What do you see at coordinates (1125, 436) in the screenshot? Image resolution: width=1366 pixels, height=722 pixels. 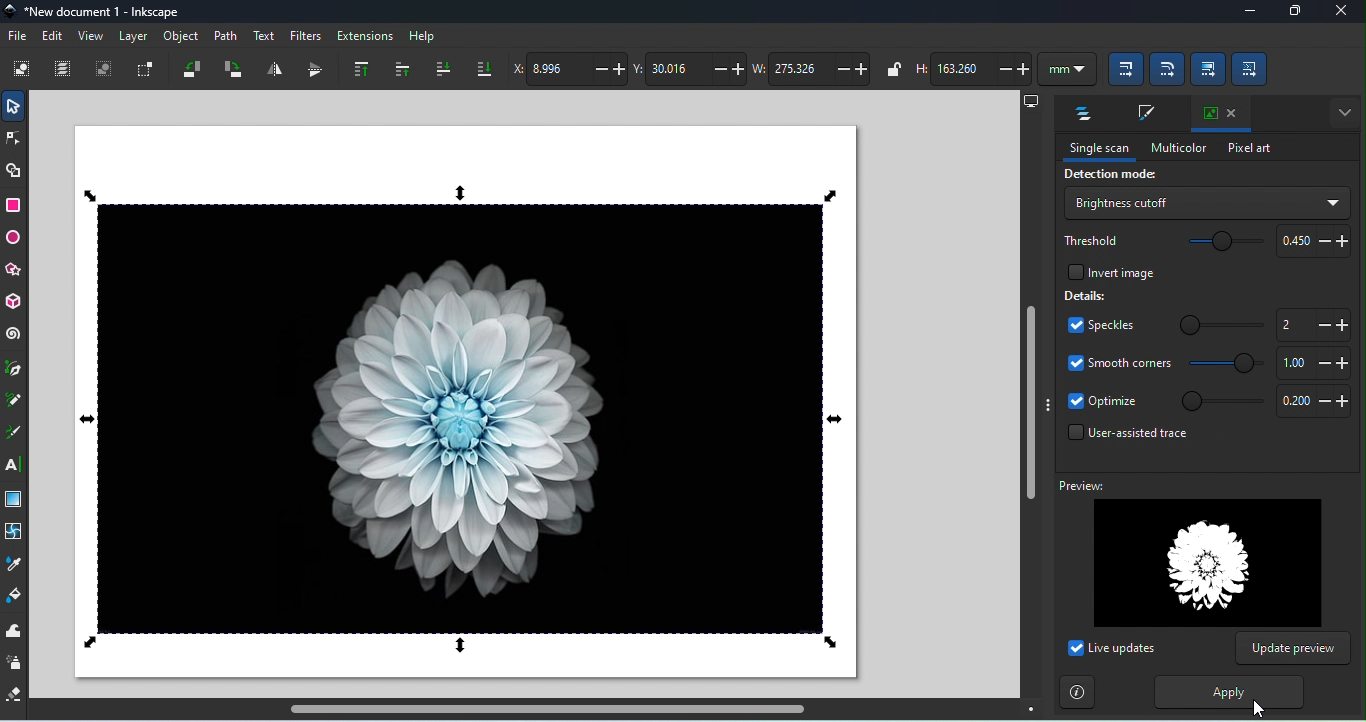 I see `User-assisted trace` at bounding box center [1125, 436].